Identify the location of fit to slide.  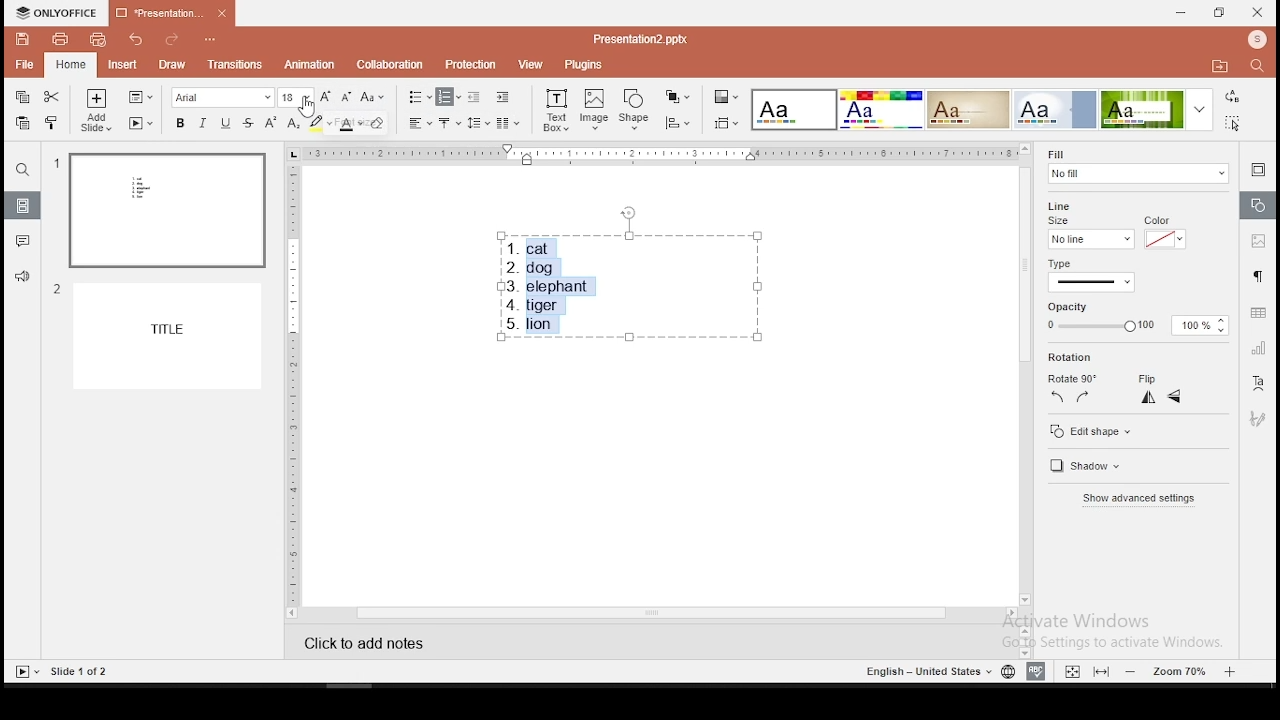
(1100, 671).